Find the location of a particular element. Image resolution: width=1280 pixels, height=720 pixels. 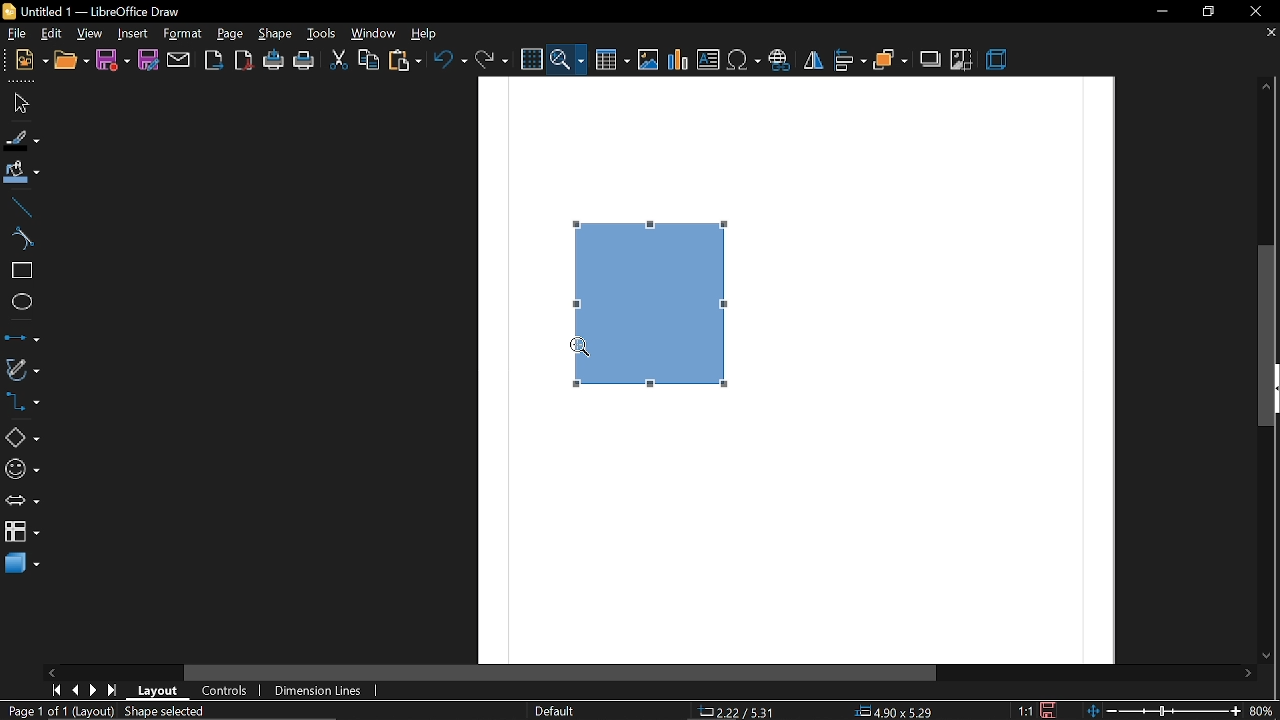

Page is located at coordinates (792, 523).